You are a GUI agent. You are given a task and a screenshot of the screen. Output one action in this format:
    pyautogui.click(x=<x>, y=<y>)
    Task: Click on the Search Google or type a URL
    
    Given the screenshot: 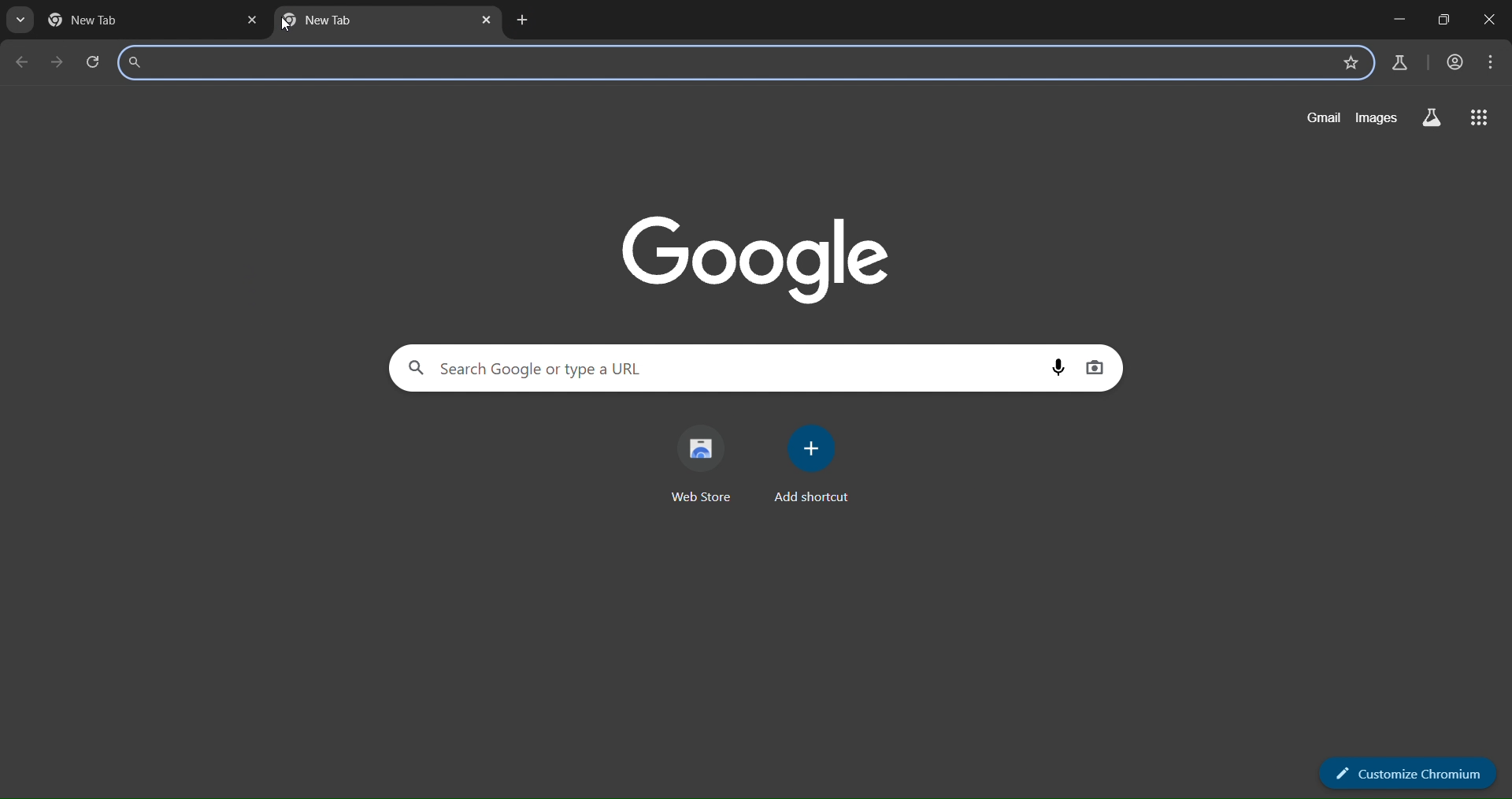 What is the action you would take?
    pyautogui.click(x=722, y=64)
    